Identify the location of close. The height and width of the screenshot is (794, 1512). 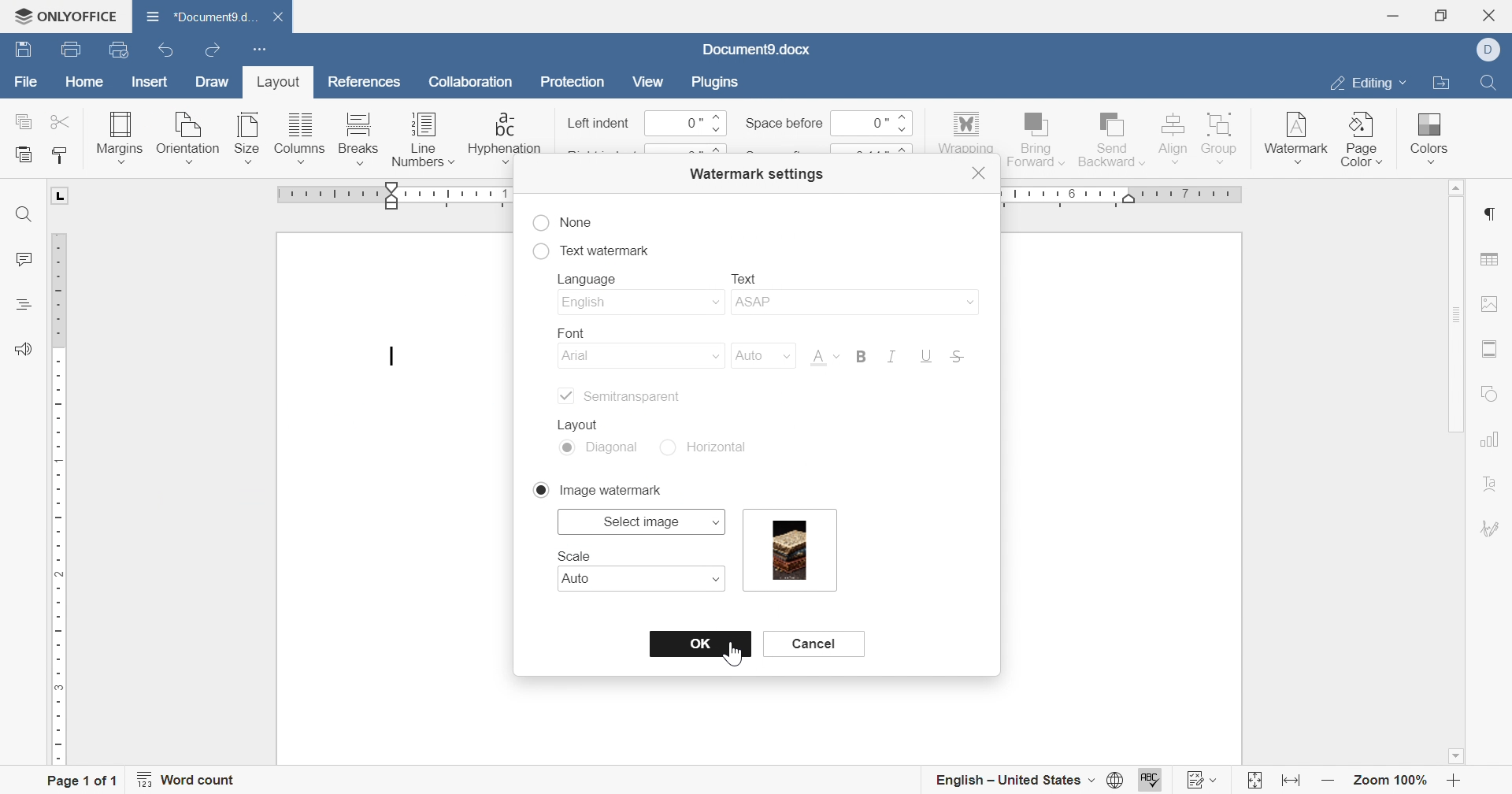
(1494, 15).